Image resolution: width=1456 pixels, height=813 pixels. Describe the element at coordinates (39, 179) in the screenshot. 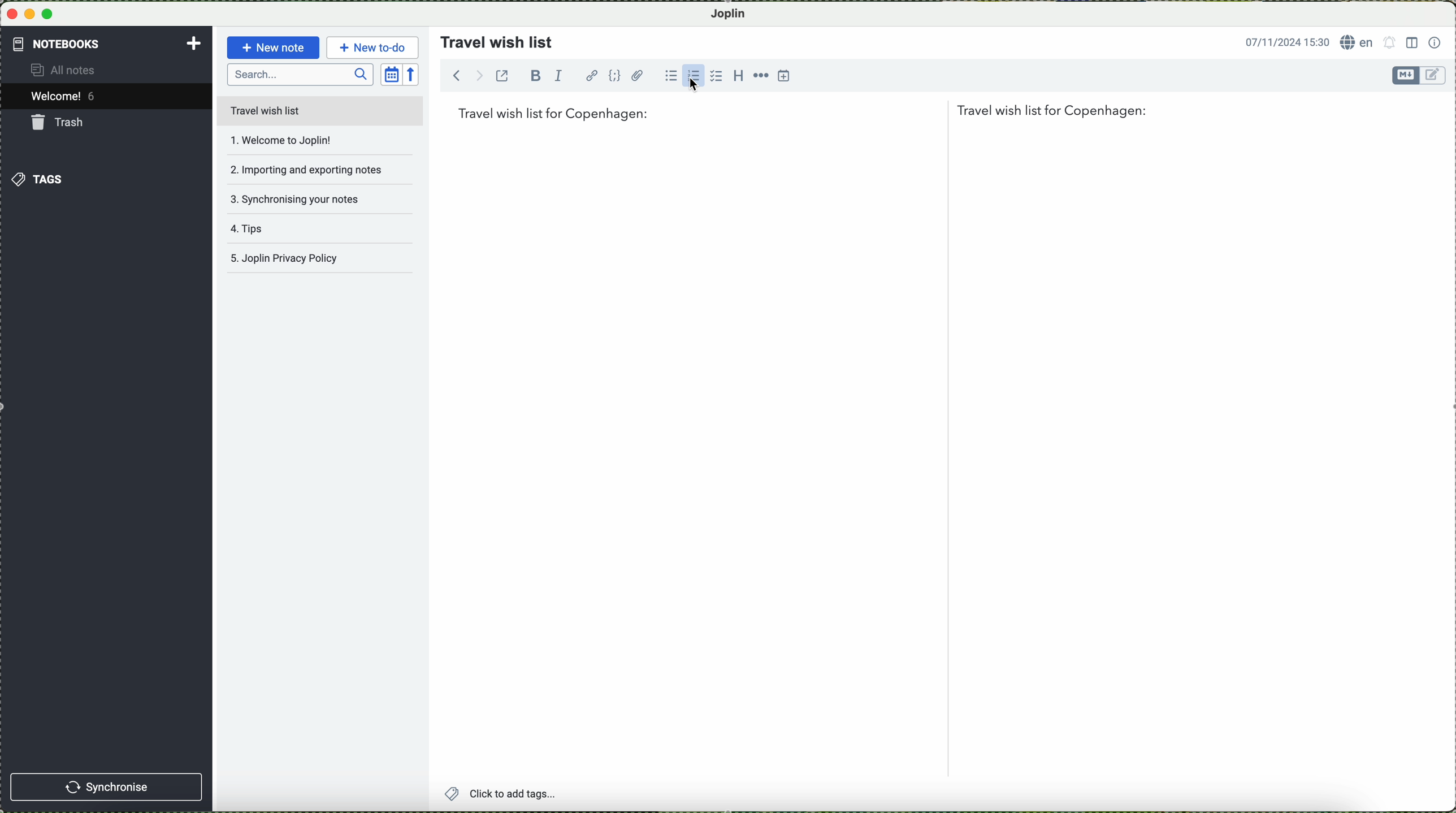

I see `tags` at that location.